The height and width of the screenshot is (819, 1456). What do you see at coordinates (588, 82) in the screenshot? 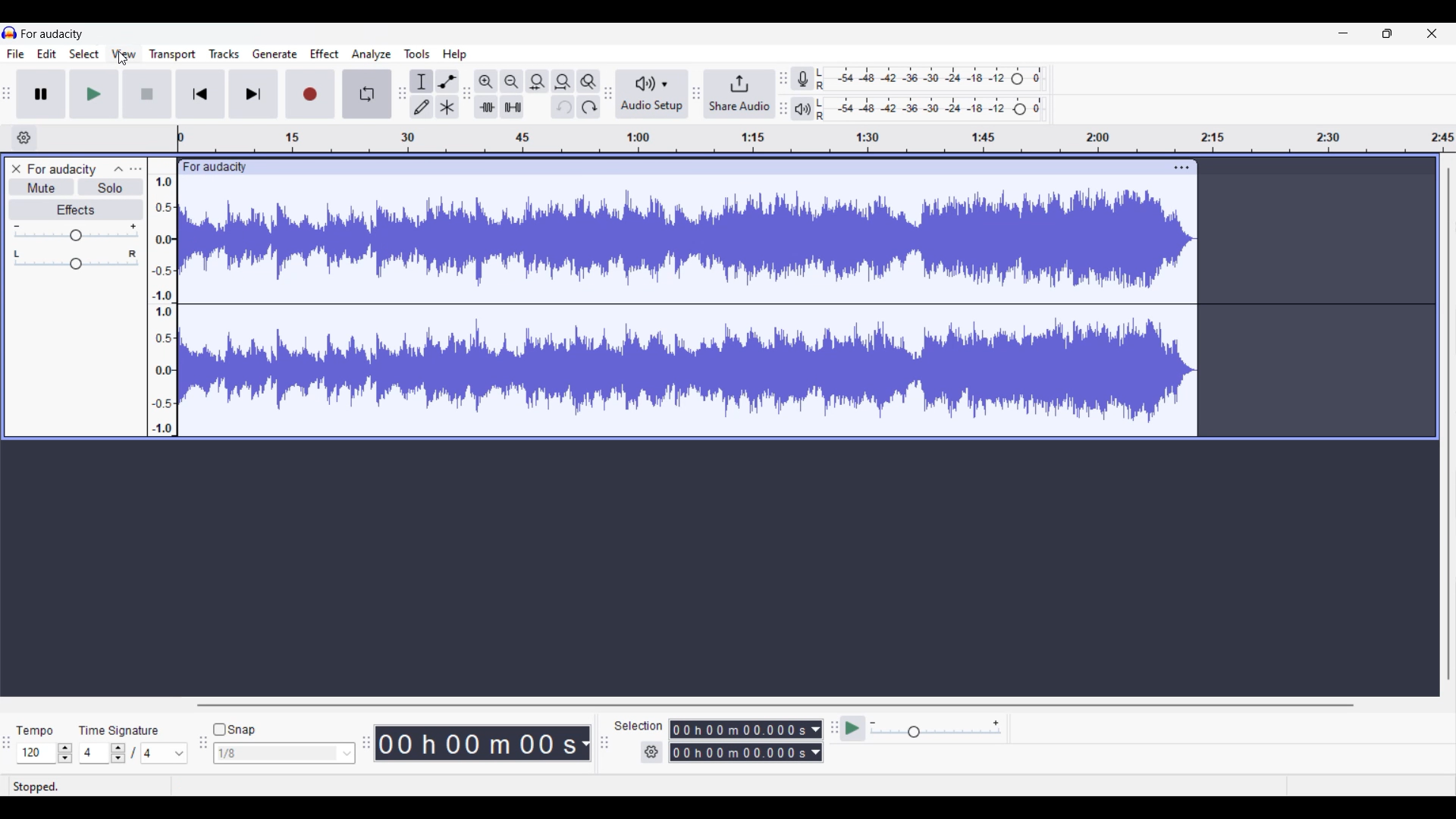
I see `Zoom toggle` at bounding box center [588, 82].